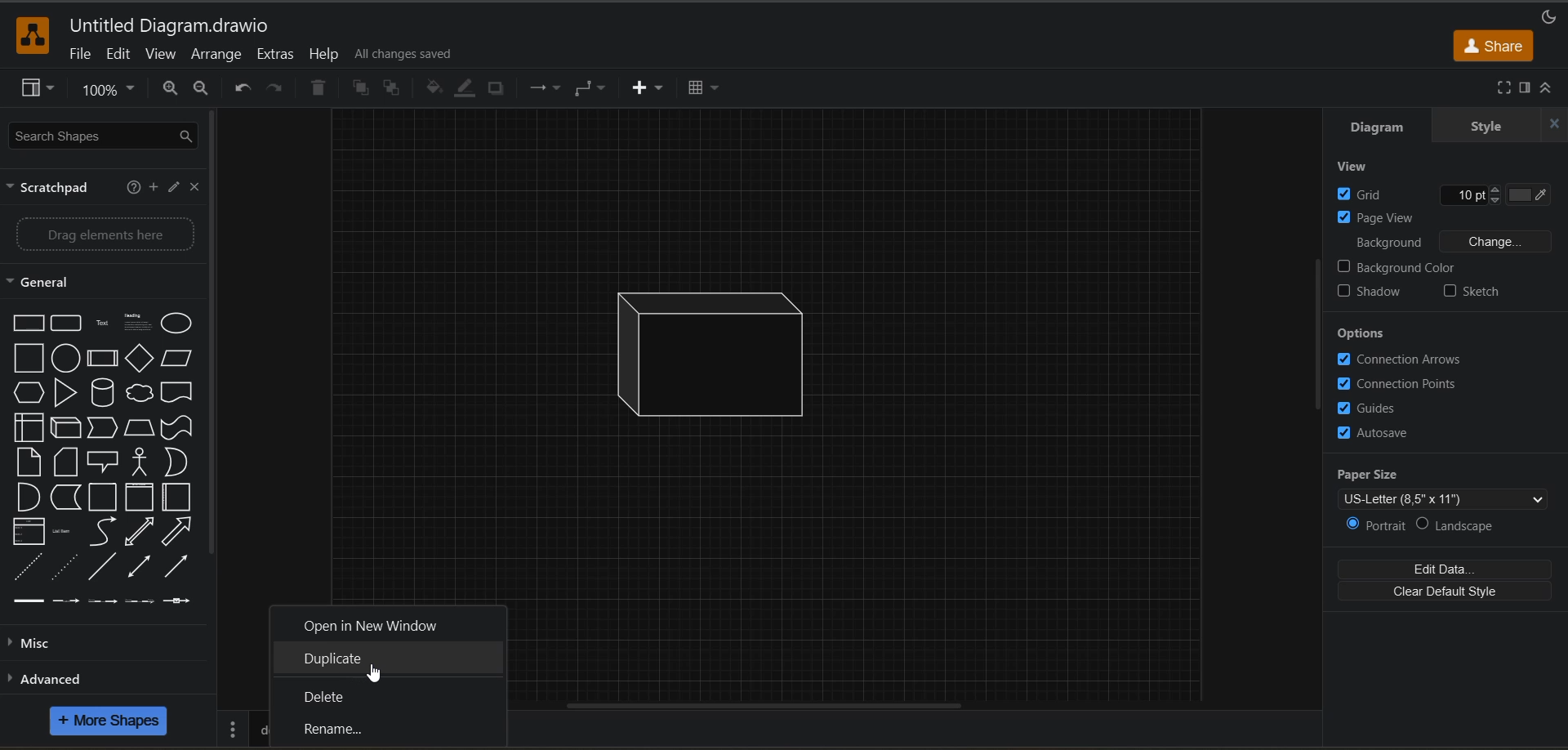 This screenshot has width=1568, height=750. I want to click on appearance, so click(1550, 16).